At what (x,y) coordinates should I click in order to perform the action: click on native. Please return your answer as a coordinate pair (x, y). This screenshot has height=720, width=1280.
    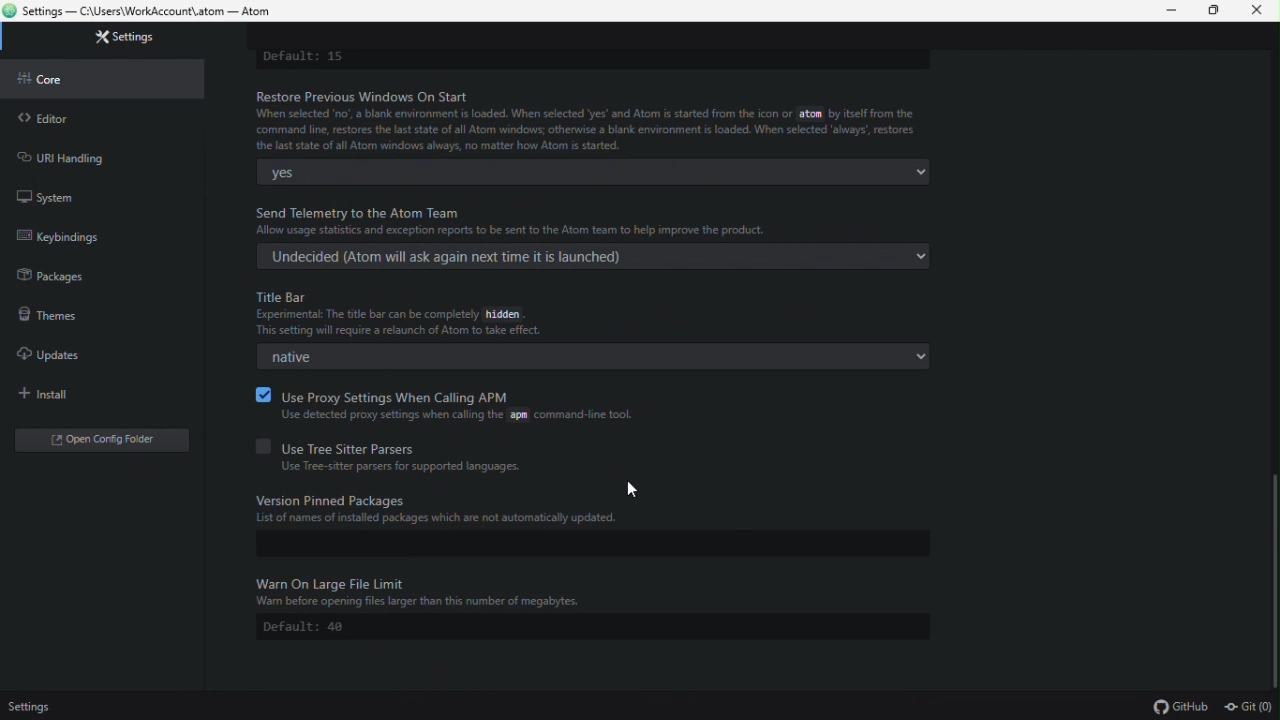
    Looking at the image, I should click on (594, 357).